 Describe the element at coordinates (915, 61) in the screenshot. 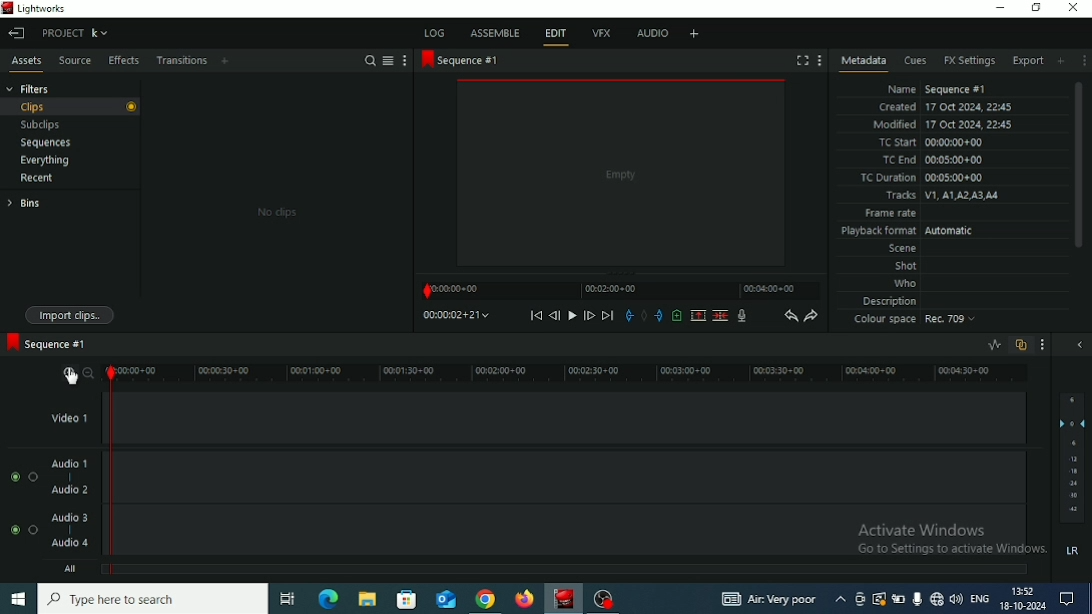

I see `Cues` at that location.